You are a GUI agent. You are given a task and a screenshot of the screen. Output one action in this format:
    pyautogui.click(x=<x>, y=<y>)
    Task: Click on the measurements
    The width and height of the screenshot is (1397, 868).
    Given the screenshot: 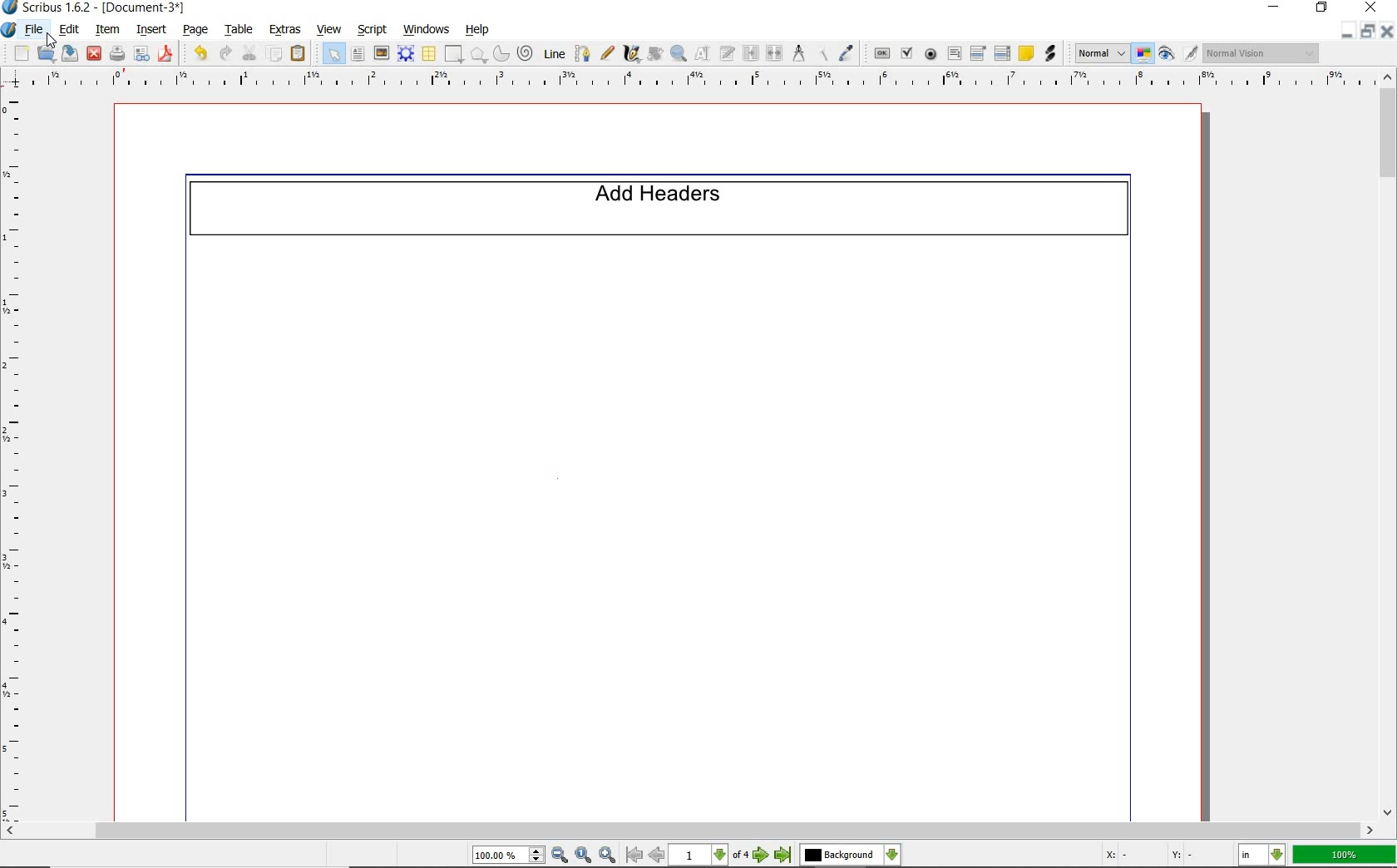 What is the action you would take?
    pyautogui.click(x=797, y=52)
    